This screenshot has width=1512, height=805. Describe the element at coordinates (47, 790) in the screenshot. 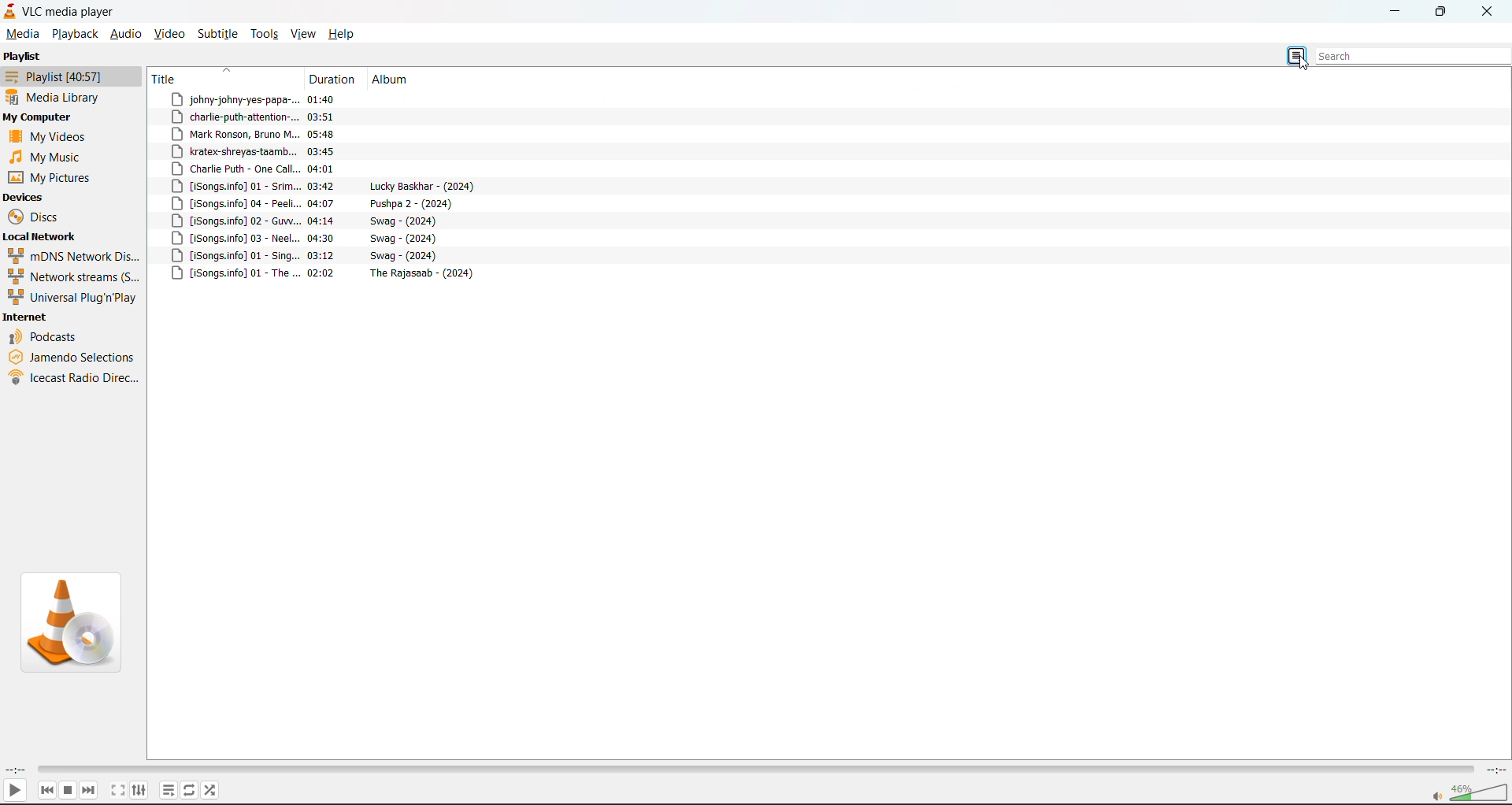

I see `previous` at that location.